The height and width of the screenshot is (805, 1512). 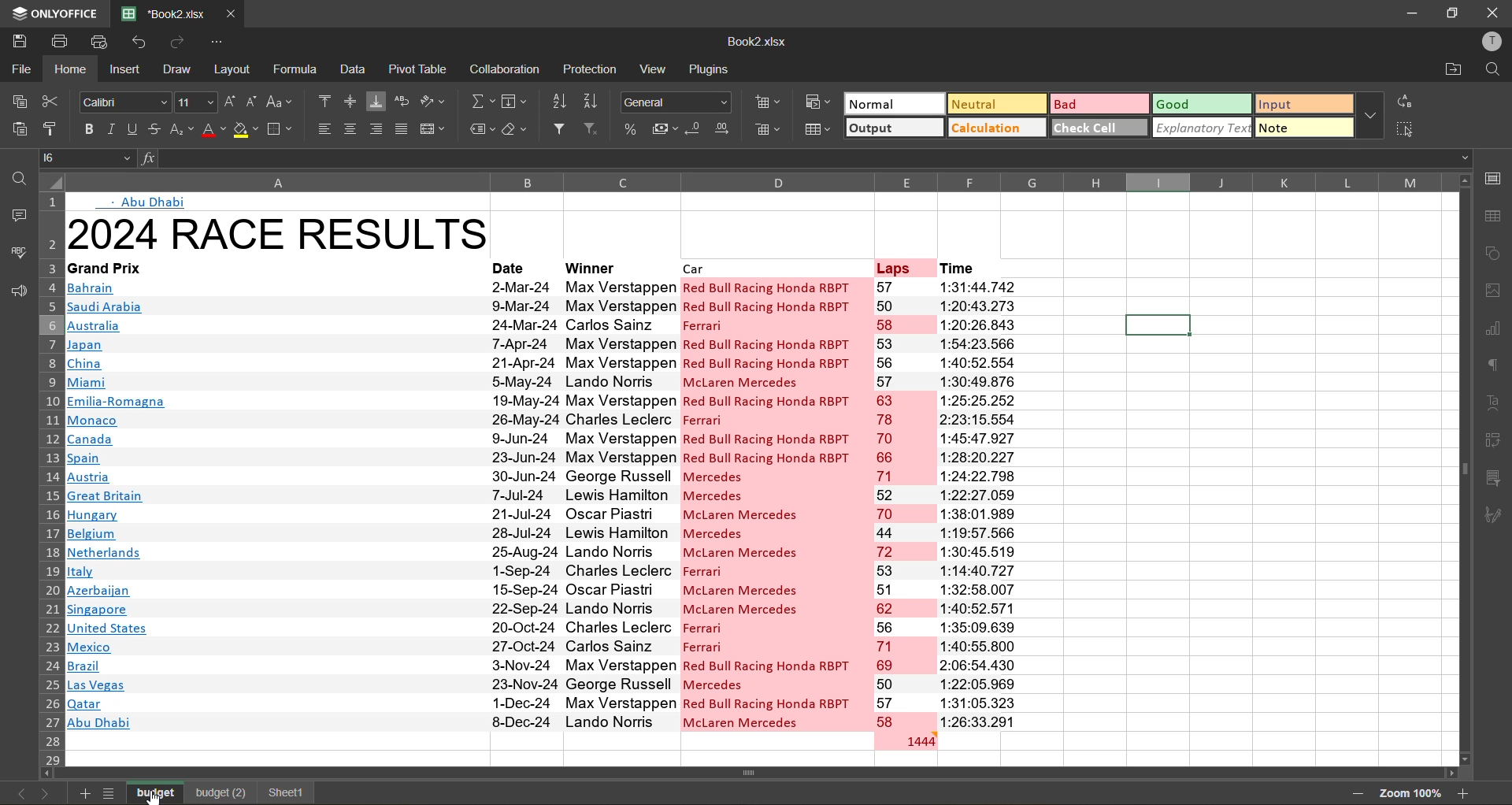 What do you see at coordinates (727, 129) in the screenshot?
I see `increase decimal` at bounding box center [727, 129].